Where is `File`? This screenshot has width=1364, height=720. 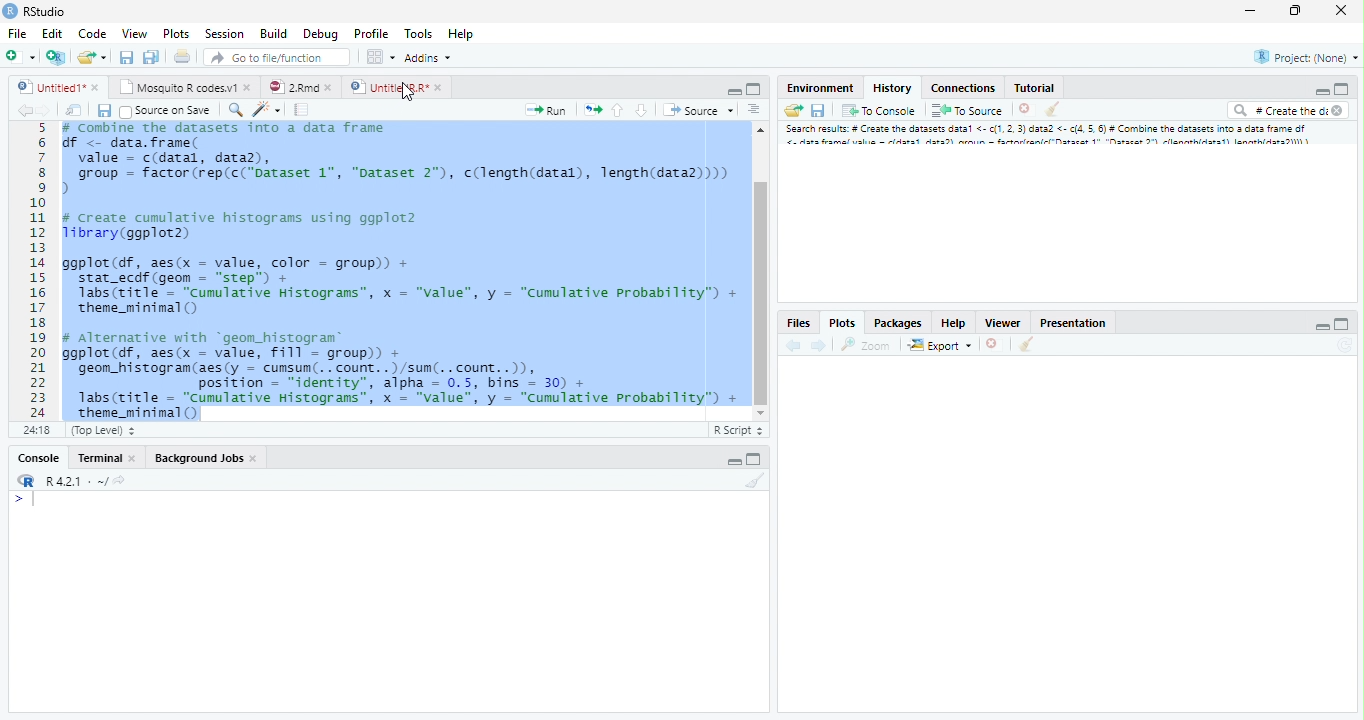
File is located at coordinates (17, 35).